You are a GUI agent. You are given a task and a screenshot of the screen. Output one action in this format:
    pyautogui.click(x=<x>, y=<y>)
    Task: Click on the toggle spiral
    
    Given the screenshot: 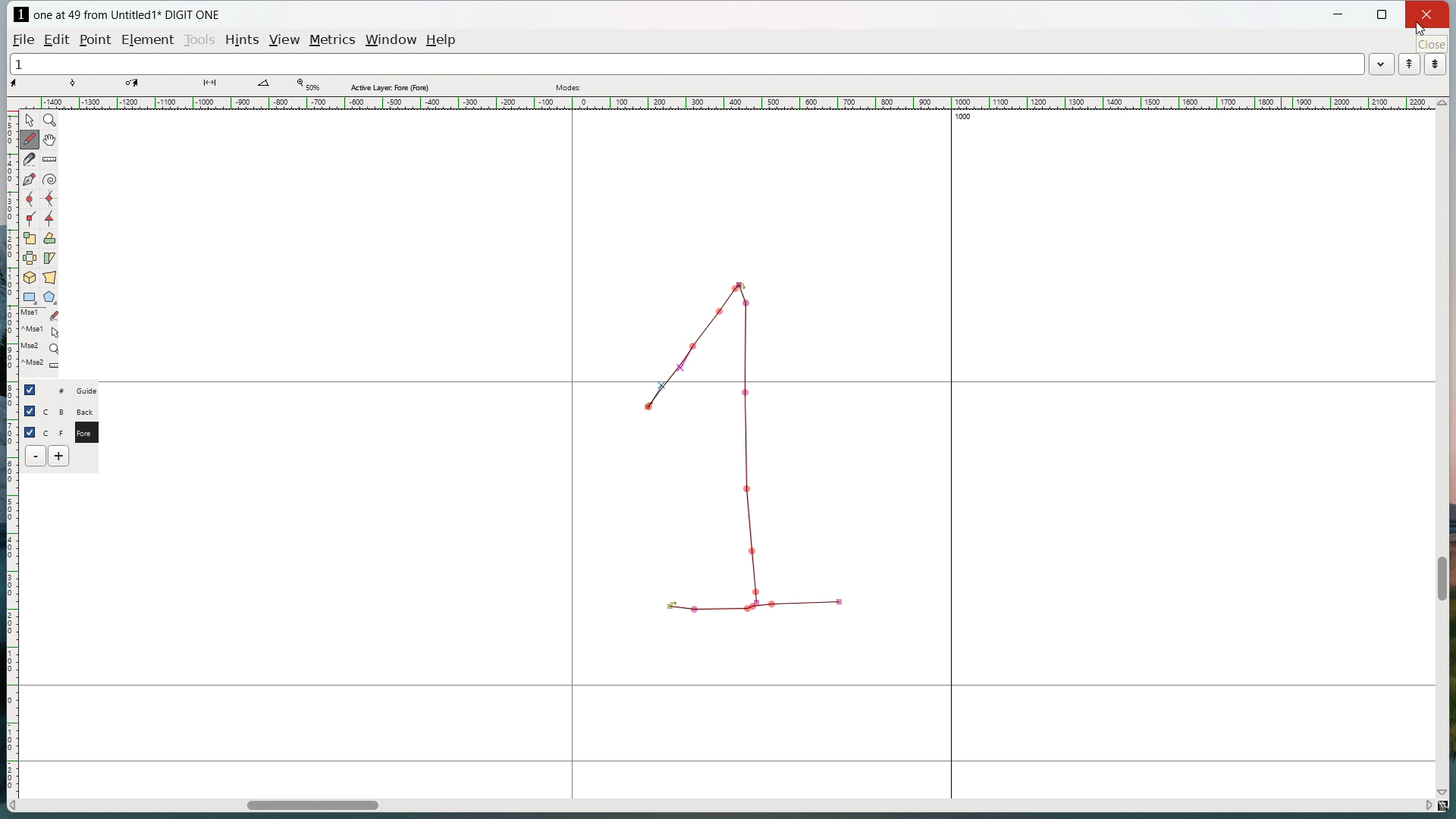 What is the action you would take?
    pyautogui.click(x=50, y=180)
    